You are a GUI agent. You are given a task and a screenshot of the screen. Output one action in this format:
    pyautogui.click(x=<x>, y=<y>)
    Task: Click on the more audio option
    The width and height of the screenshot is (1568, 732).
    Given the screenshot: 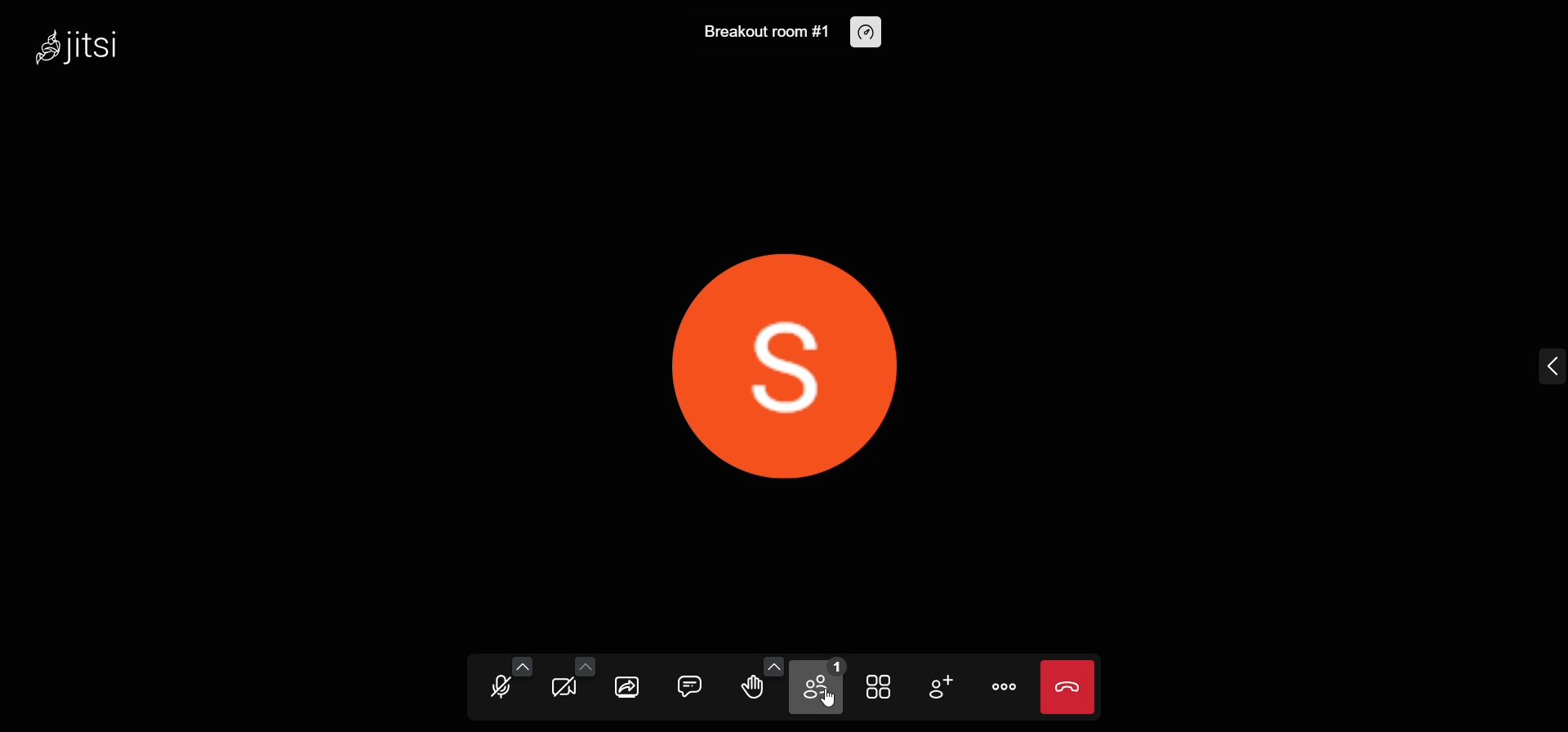 What is the action you would take?
    pyautogui.click(x=519, y=665)
    